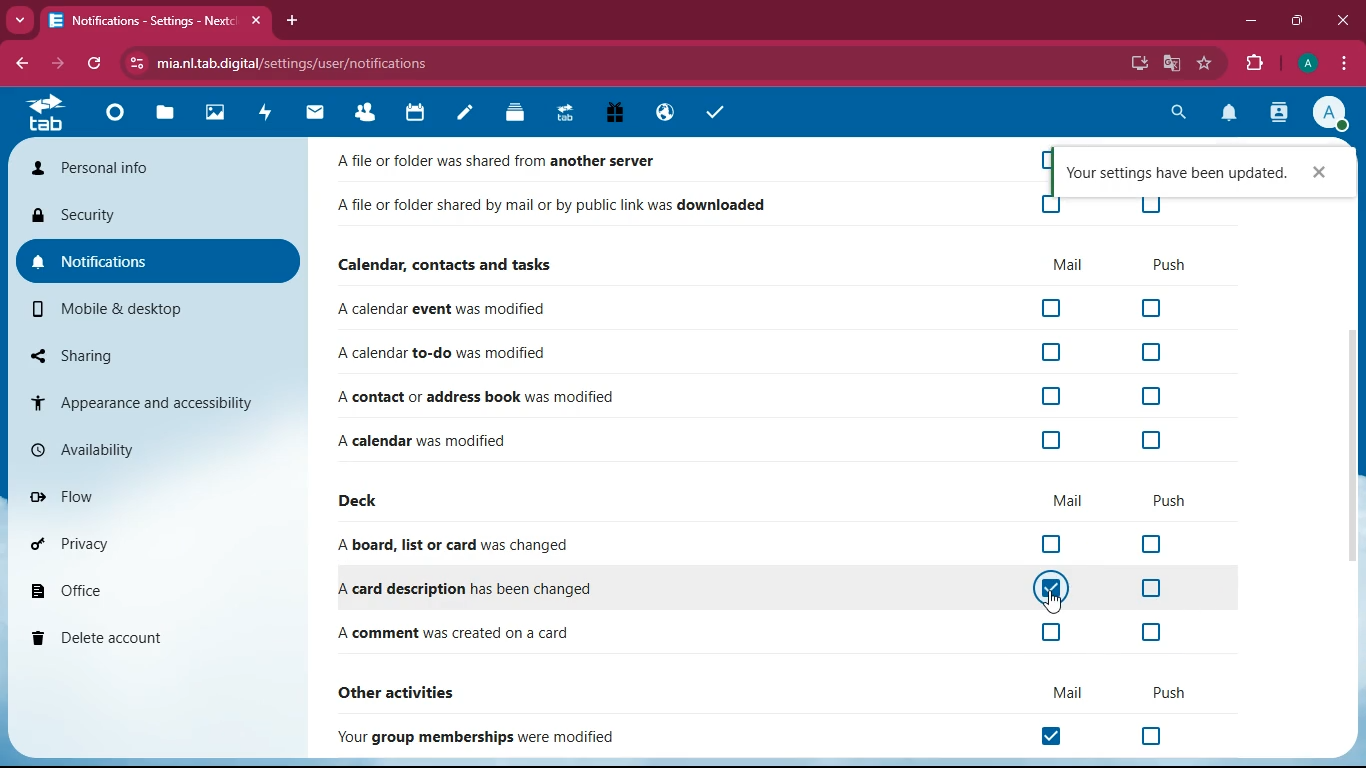 This screenshot has height=768, width=1366. What do you see at coordinates (370, 112) in the screenshot?
I see `friends` at bounding box center [370, 112].